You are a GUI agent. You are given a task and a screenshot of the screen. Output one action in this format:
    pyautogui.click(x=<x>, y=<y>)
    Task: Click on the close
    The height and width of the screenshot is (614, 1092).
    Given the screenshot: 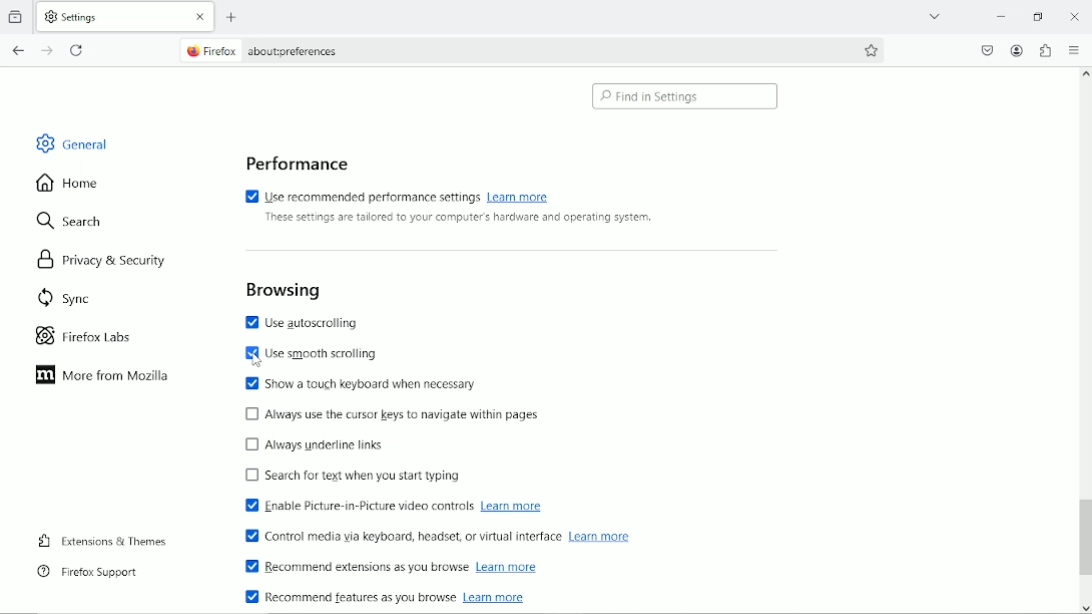 What is the action you would take?
    pyautogui.click(x=199, y=18)
    